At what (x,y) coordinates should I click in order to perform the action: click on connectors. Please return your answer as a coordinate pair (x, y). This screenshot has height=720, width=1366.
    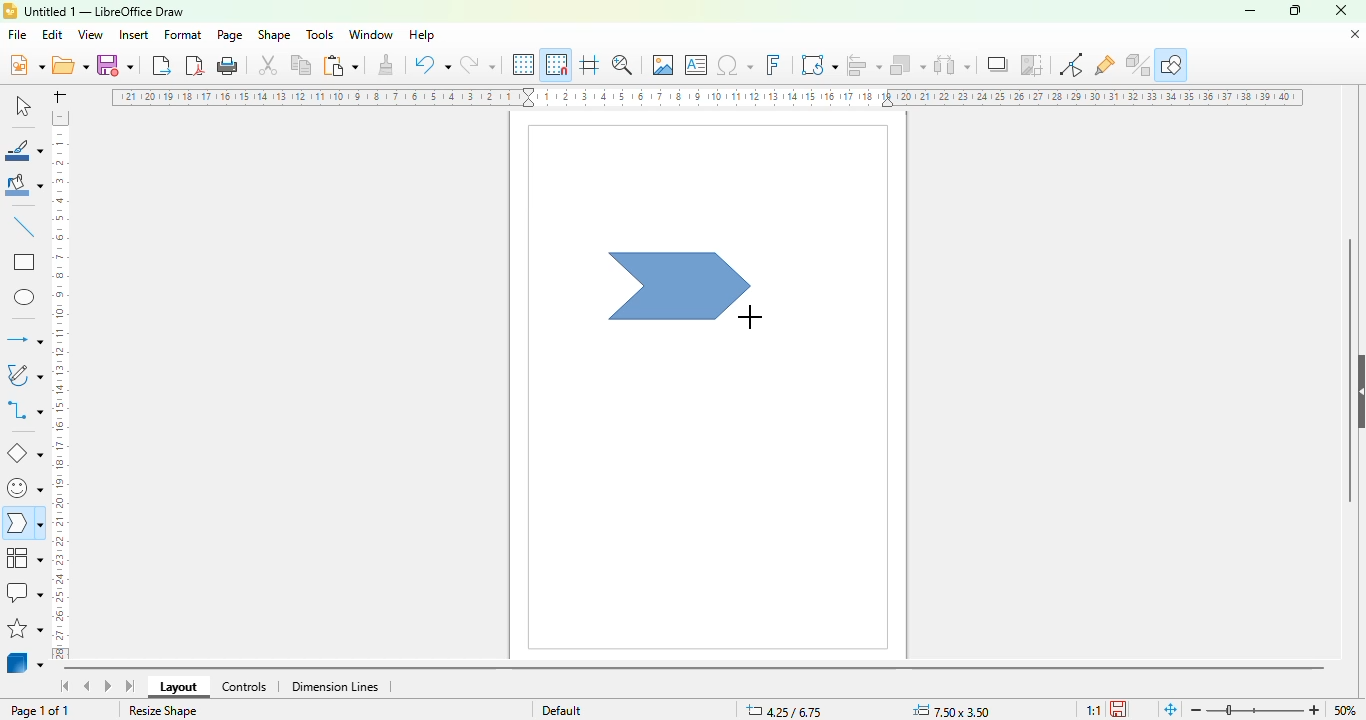
    Looking at the image, I should click on (24, 409).